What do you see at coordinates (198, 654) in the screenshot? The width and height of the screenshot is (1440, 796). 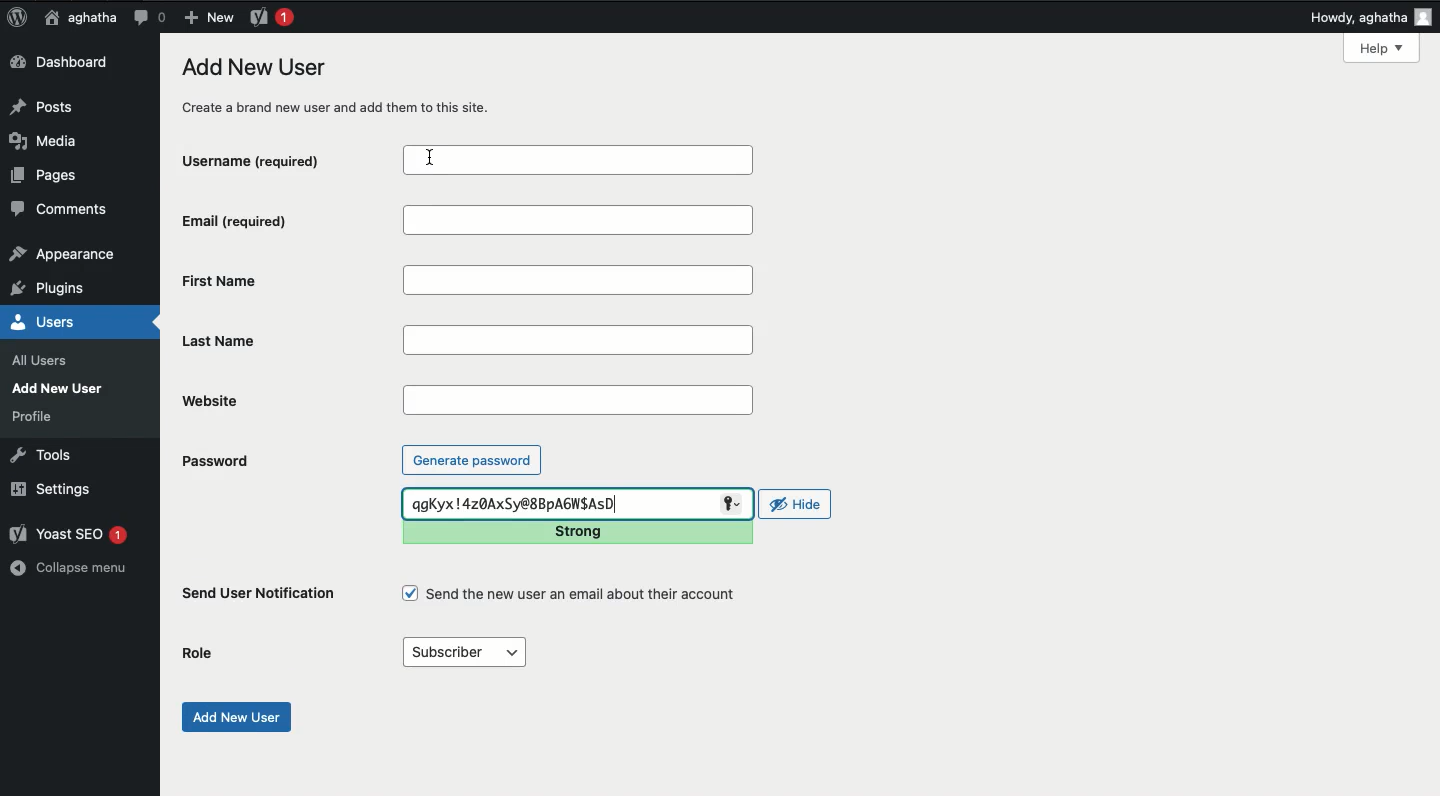 I see `Role` at bounding box center [198, 654].